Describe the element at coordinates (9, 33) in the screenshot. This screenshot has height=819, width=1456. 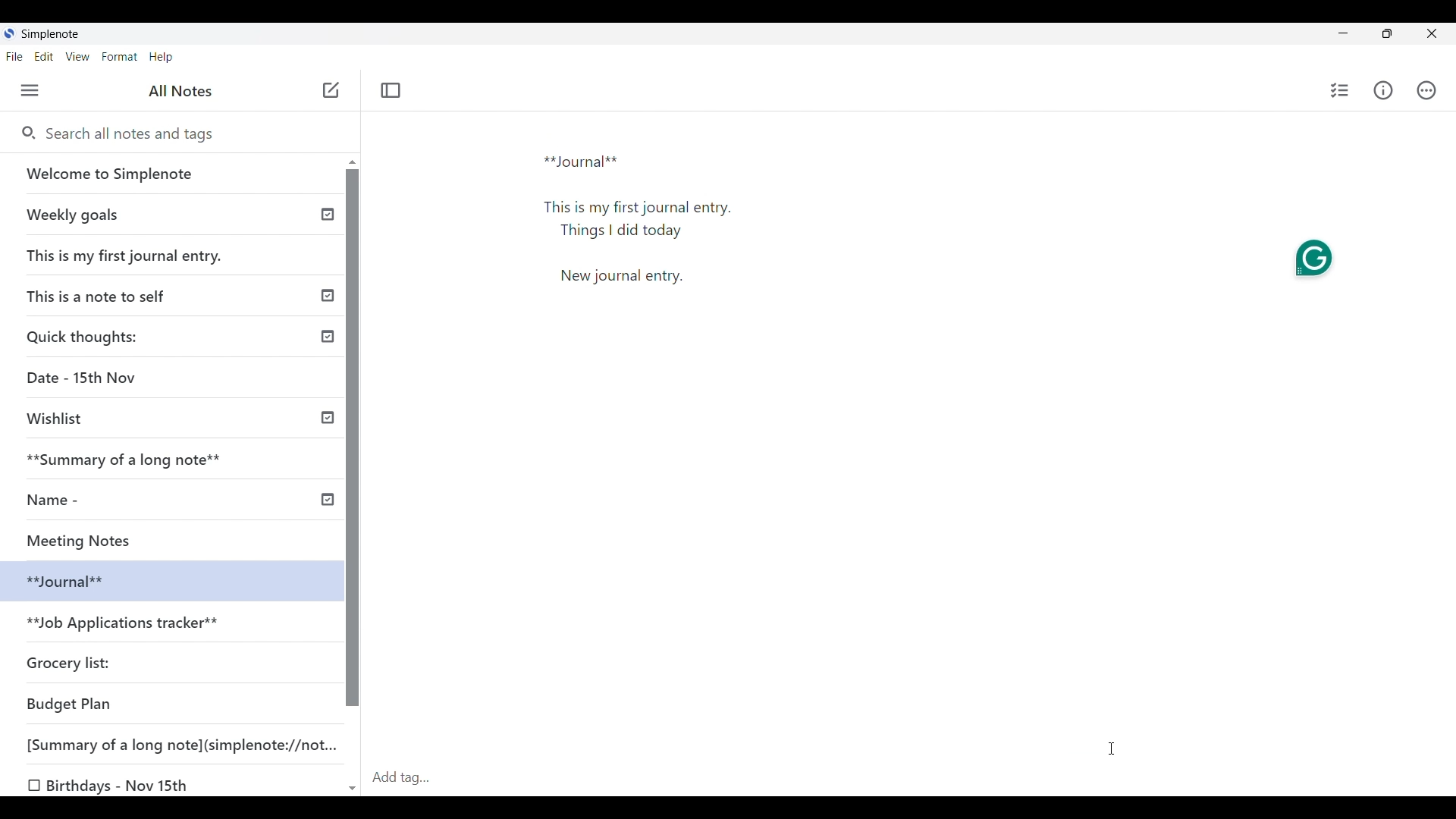
I see `Software logo` at that location.